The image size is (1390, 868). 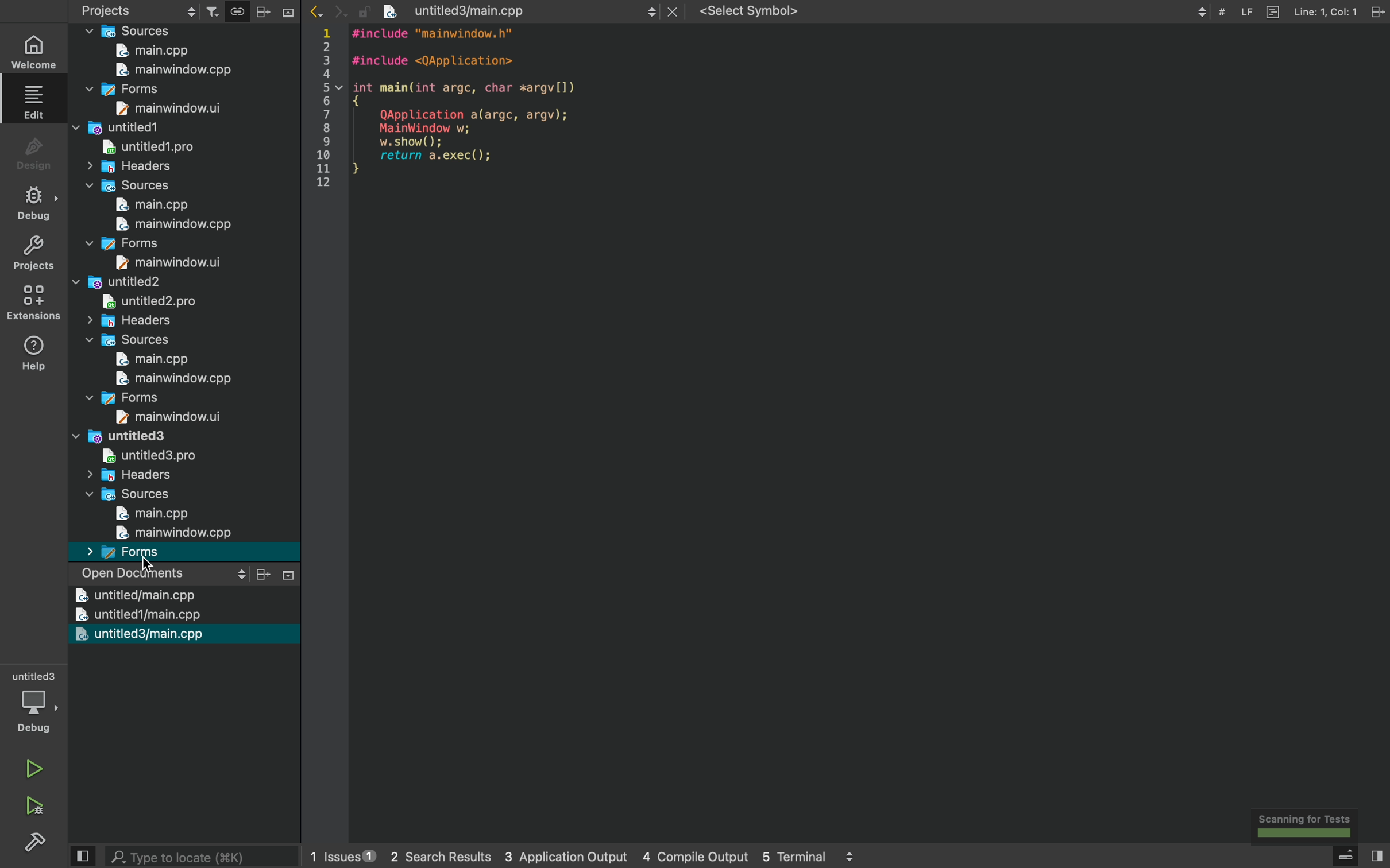 I want to click on edit, so click(x=36, y=101).